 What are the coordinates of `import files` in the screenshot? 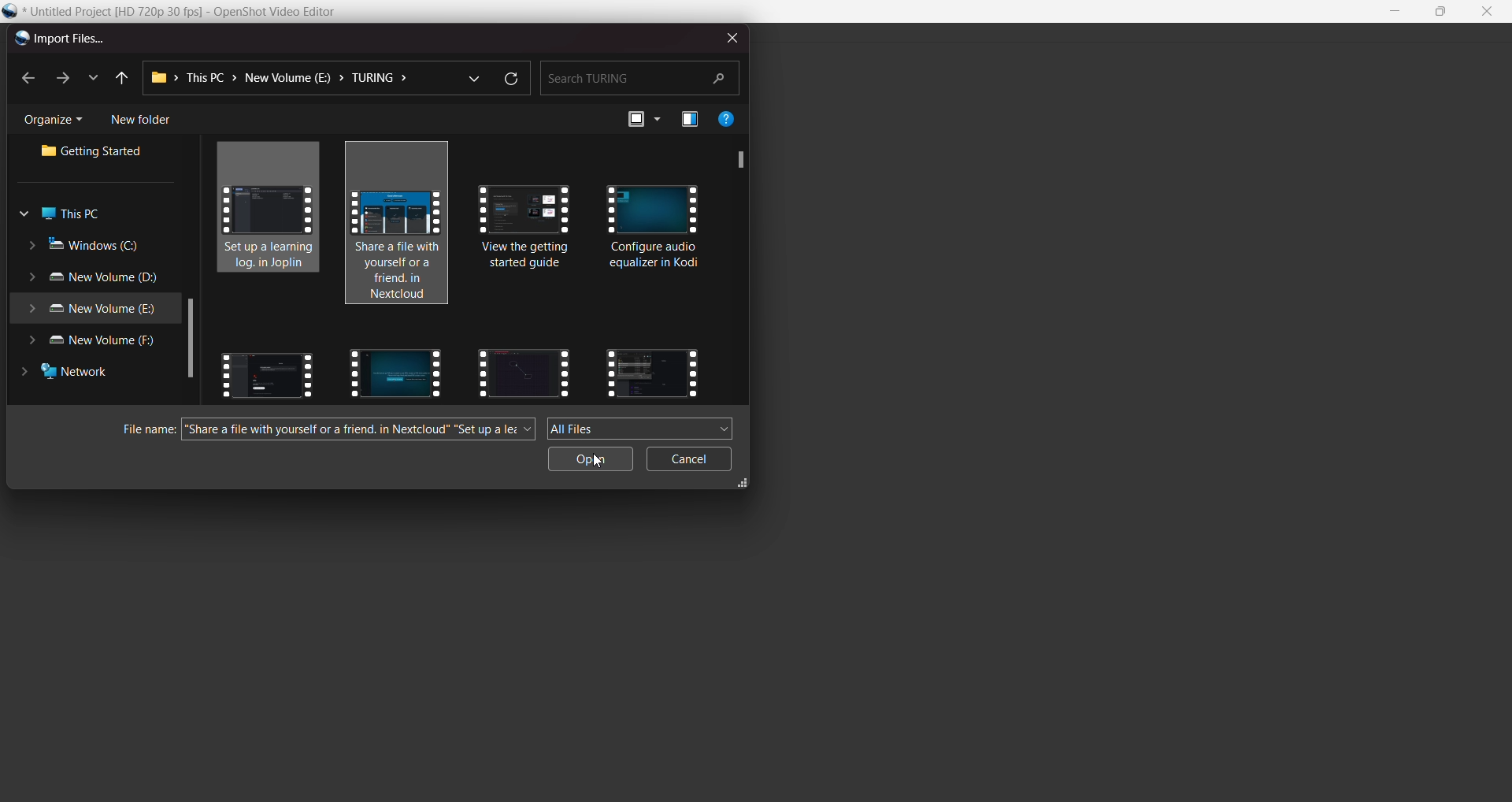 It's located at (58, 39).